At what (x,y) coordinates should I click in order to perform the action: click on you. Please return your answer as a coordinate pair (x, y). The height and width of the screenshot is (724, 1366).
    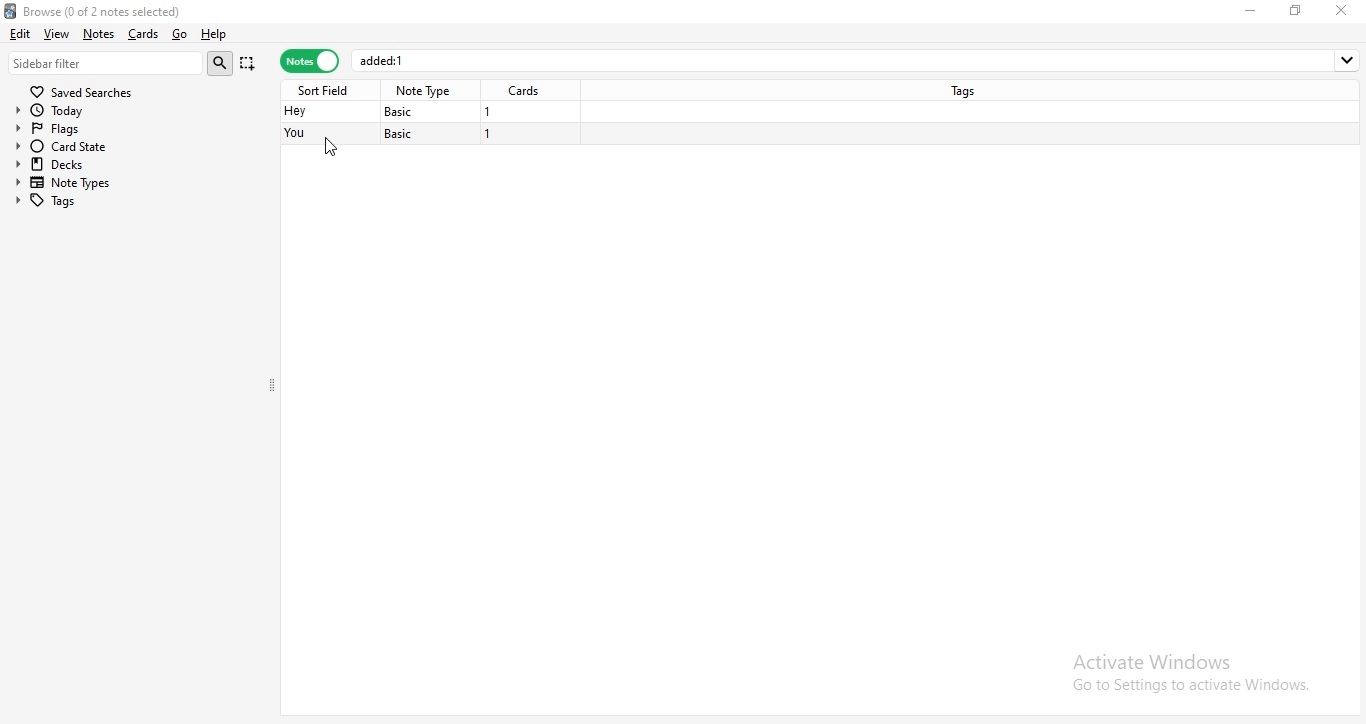
    Looking at the image, I should click on (297, 134).